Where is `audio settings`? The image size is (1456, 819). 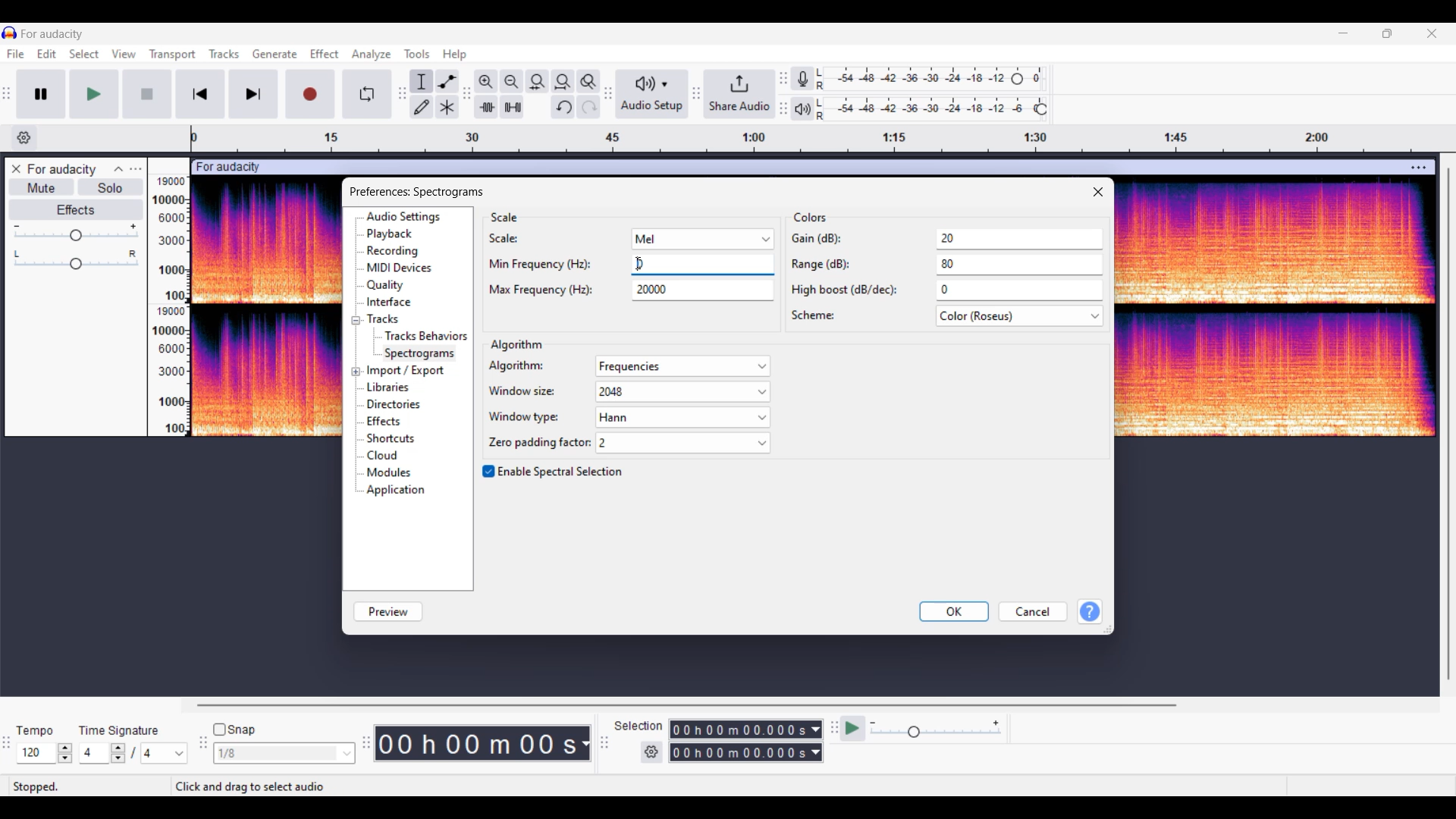 audio settings is located at coordinates (409, 218).